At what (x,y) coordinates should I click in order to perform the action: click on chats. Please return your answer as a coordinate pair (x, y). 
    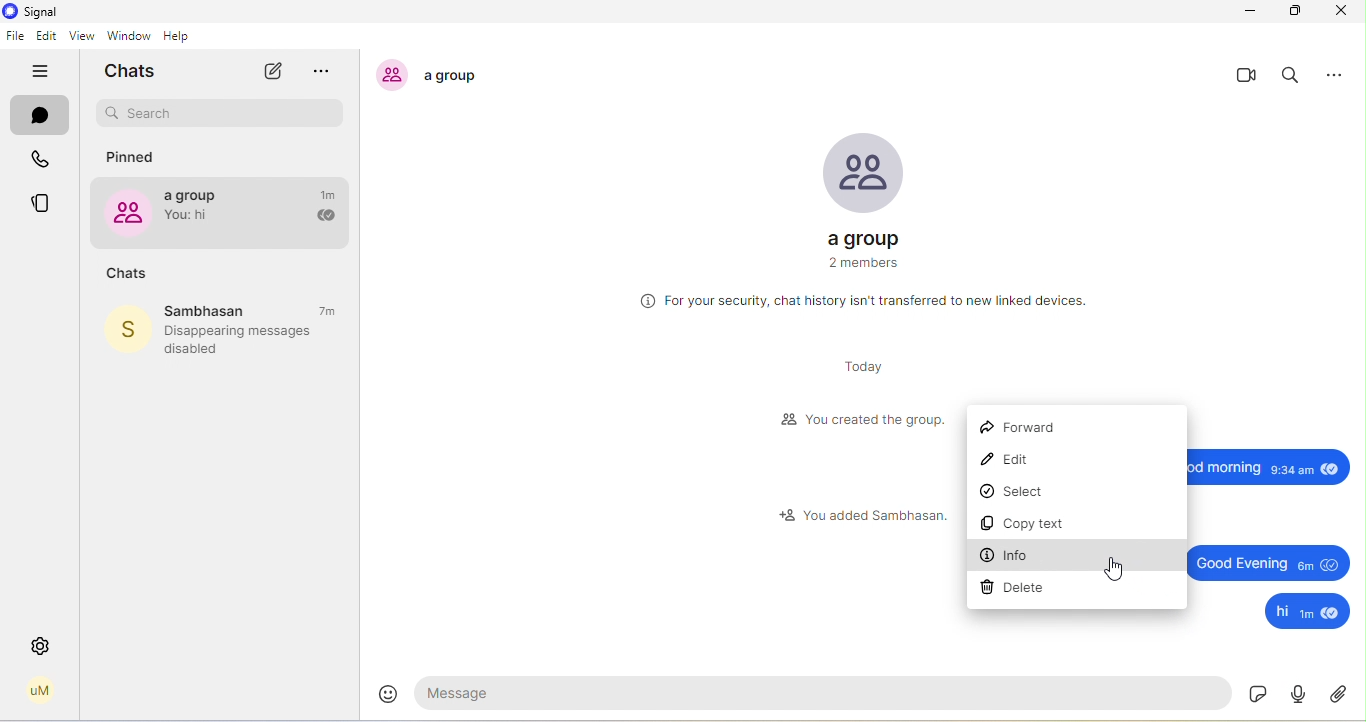
    Looking at the image, I should click on (136, 71).